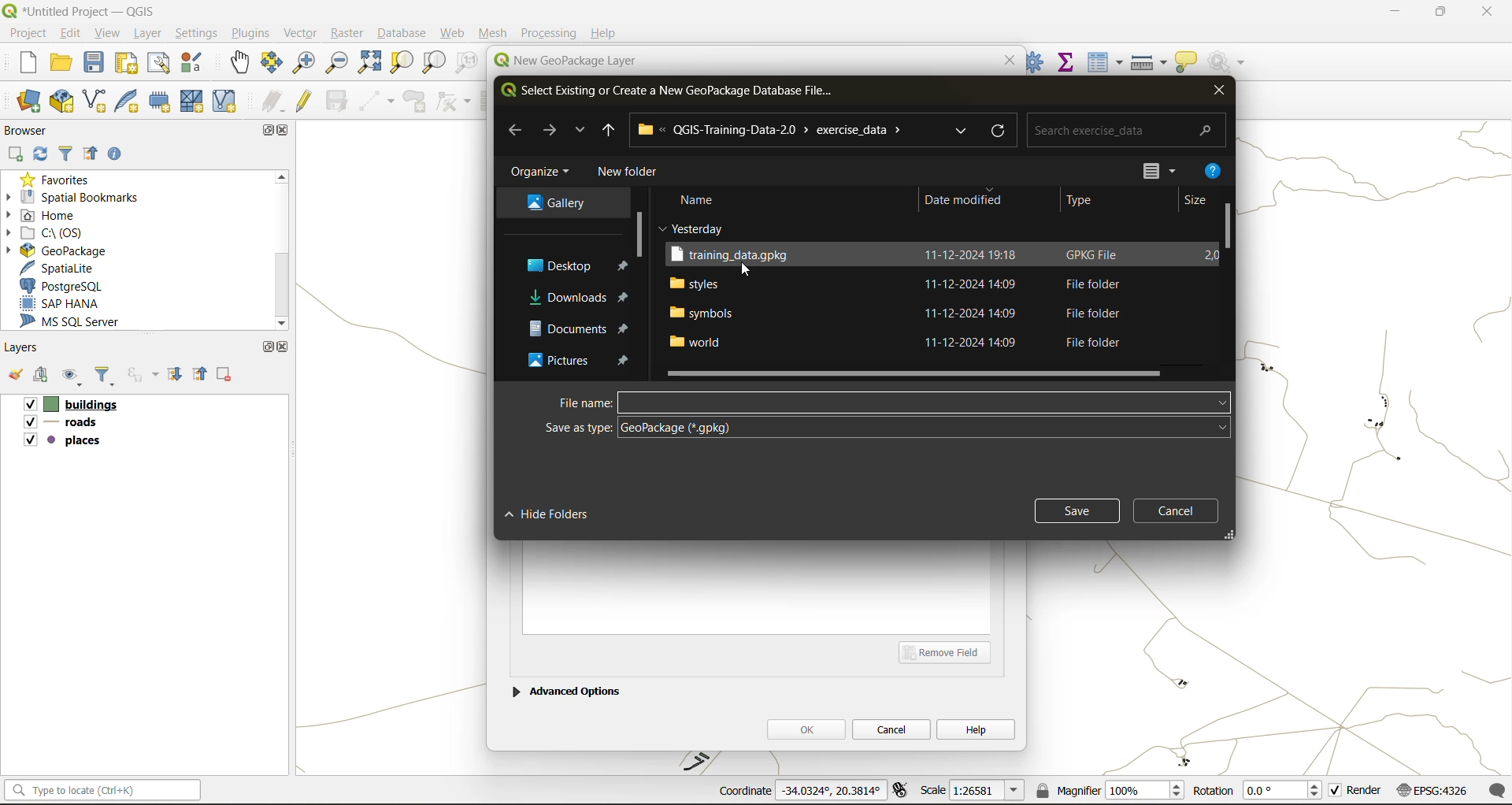  Describe the element at coordinates (160, 63) in the screenshot. I see `show layout` at that location.